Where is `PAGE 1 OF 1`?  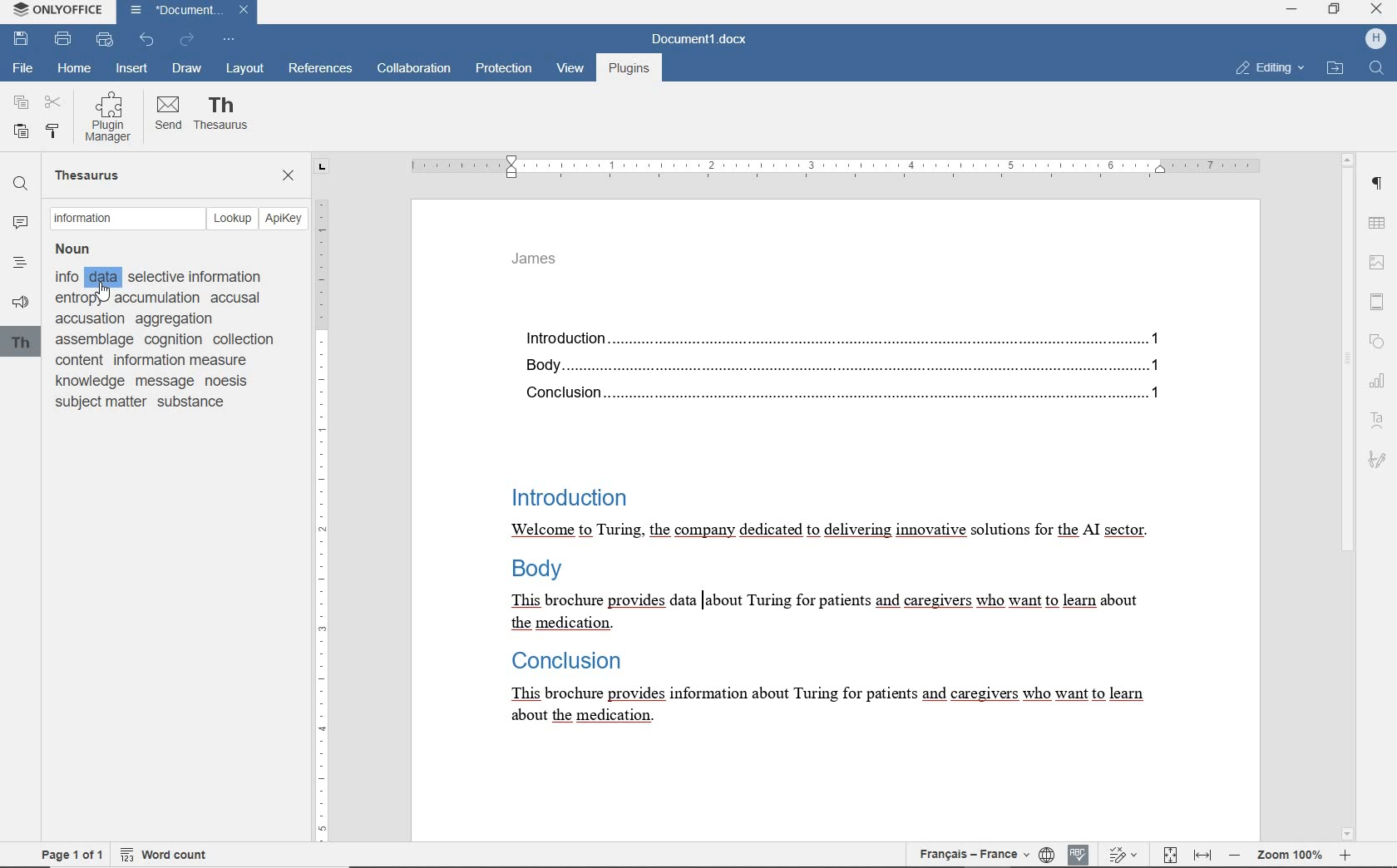
PAGE 1 OF 1 is located at coordinates (72, 855).